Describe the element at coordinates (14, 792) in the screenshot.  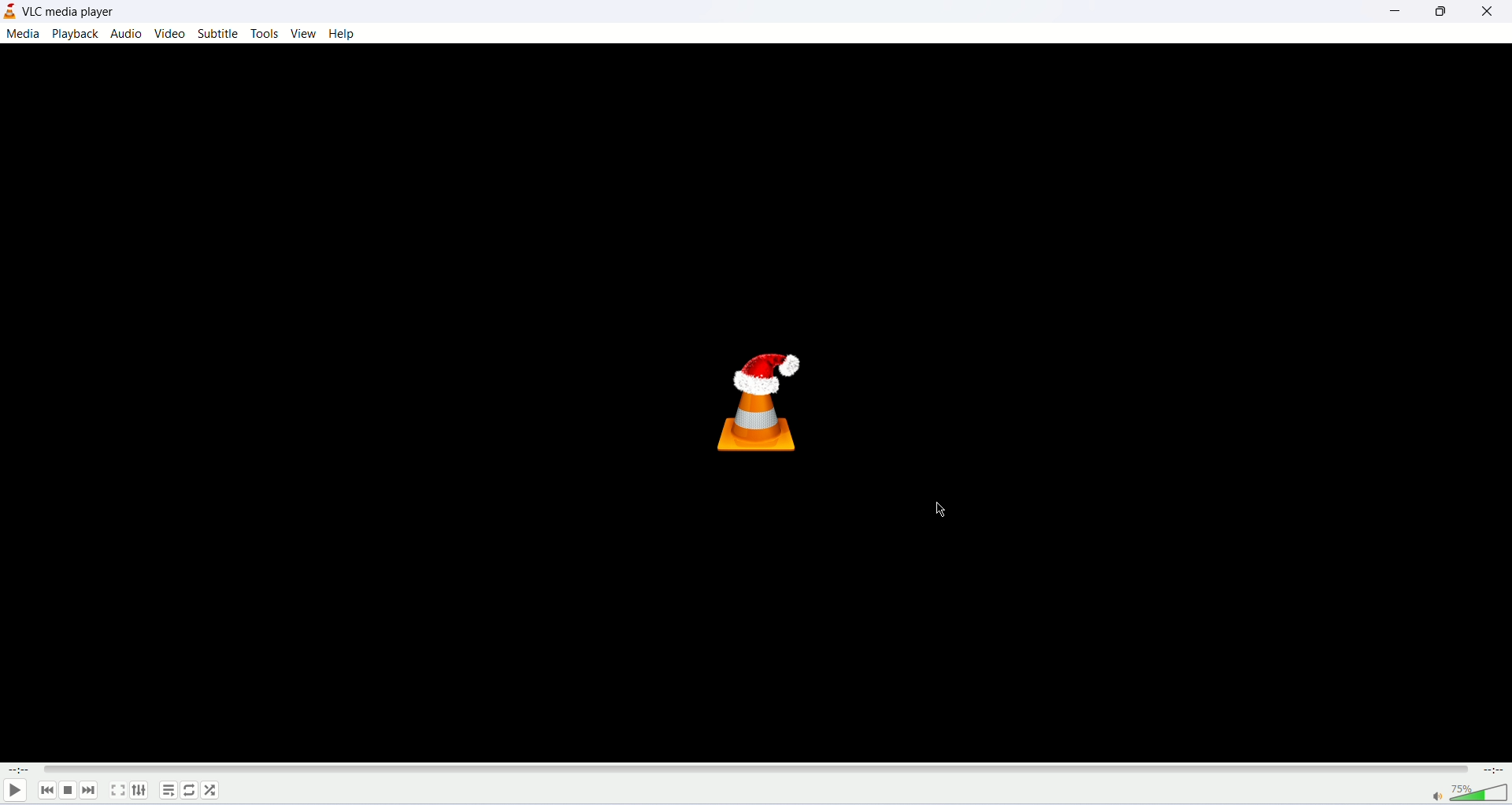
I see `play` at that location.